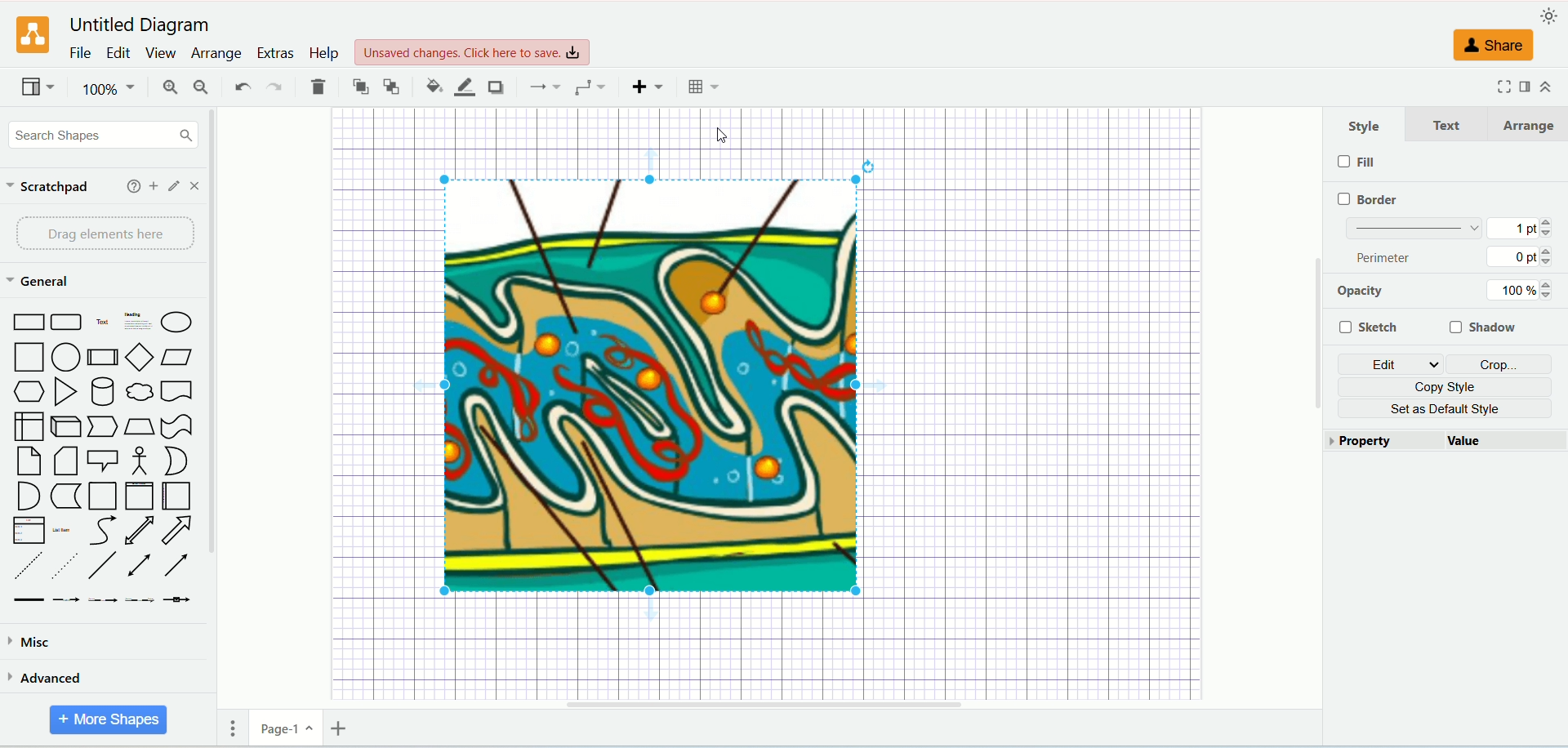 Image resolution: width=1568 pixels, height=748 pixels. What do you see at coordinates (359, 86) in the screenshot?
I see `to front` at bounding box center [359, 86].